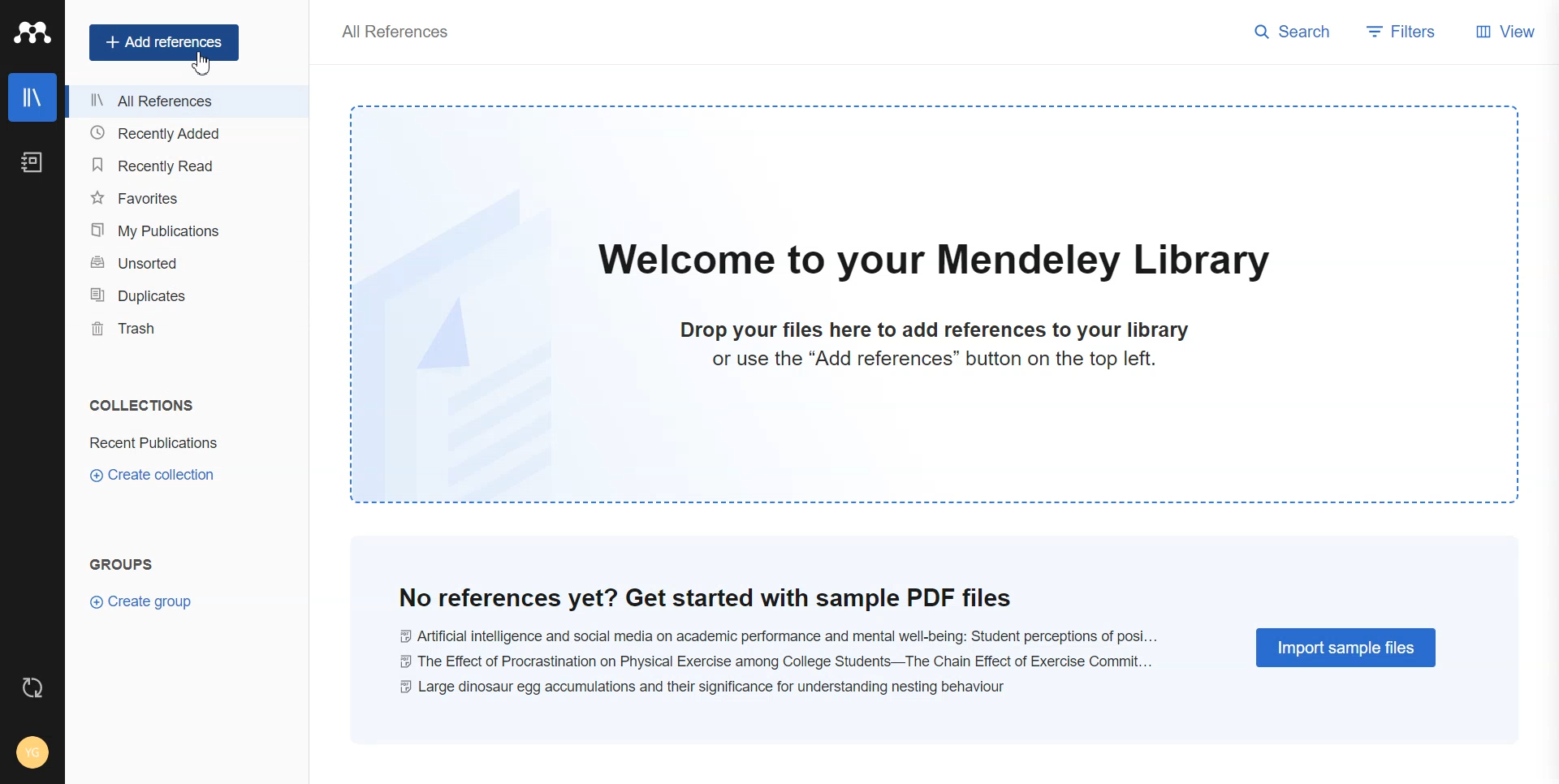  I want to click on Unsorted, so click(182, 263).